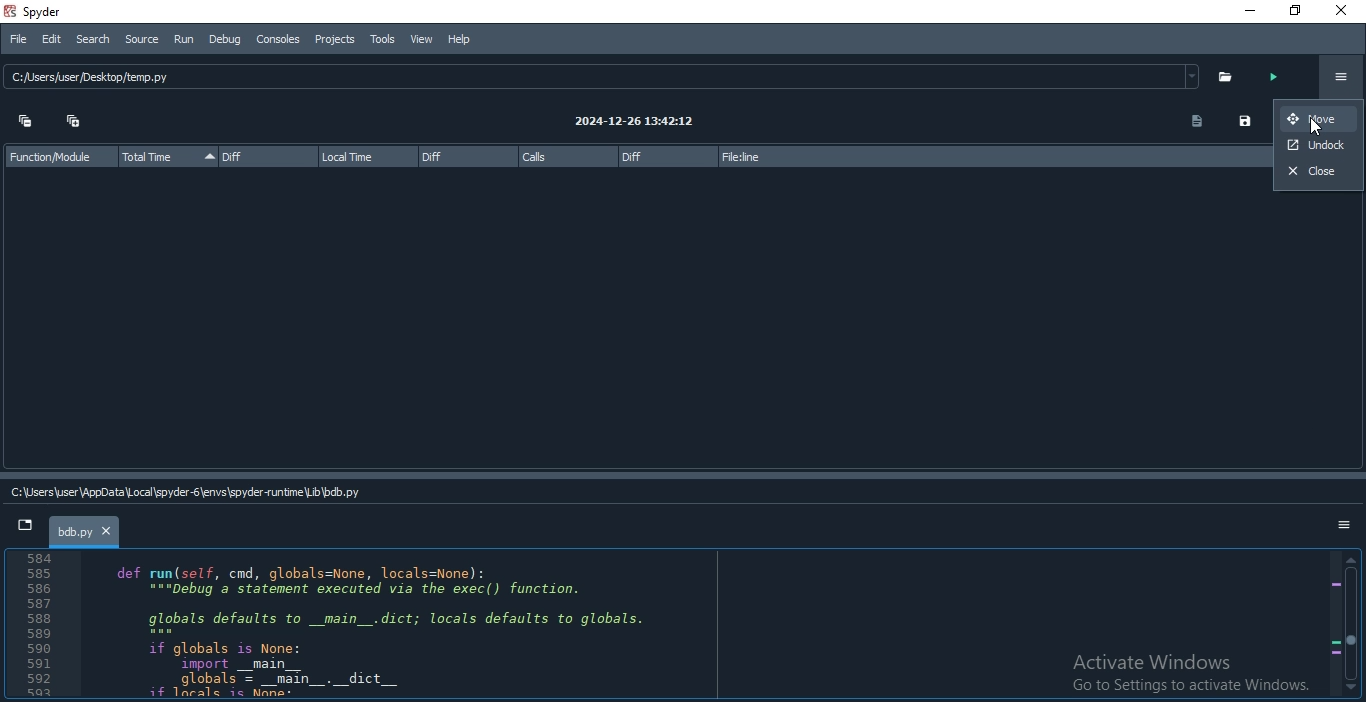  Describe the element at coordinates (383, 39) in the screenshot. I see `Tools` at that location.